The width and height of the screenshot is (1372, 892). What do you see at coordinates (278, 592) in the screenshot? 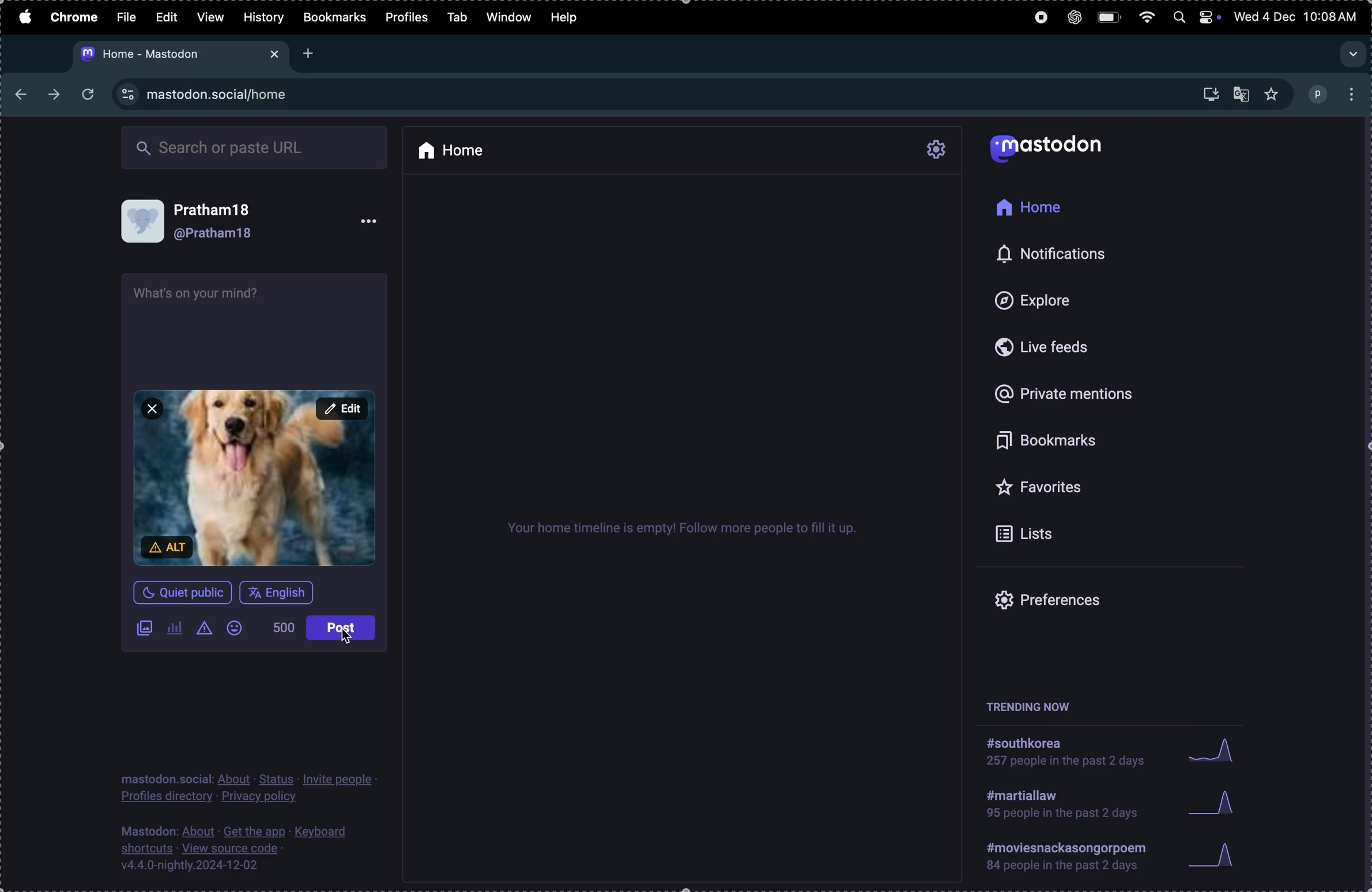
I see `English` at bounding box center [278, 592].